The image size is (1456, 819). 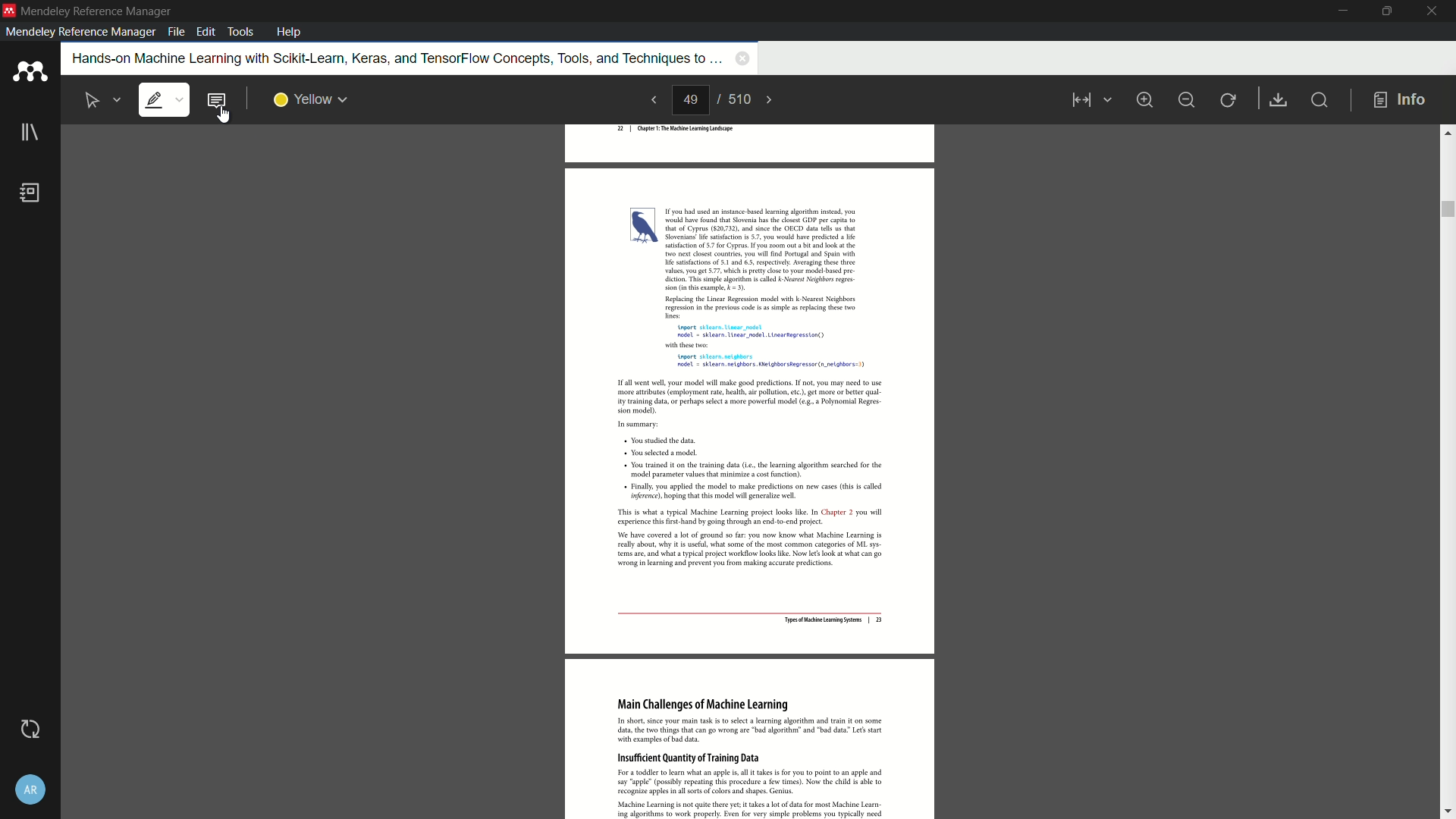 What do you see at coordinates (29, 789) in the screenshot?
I see `account and help` at bounding box center [29, 789].